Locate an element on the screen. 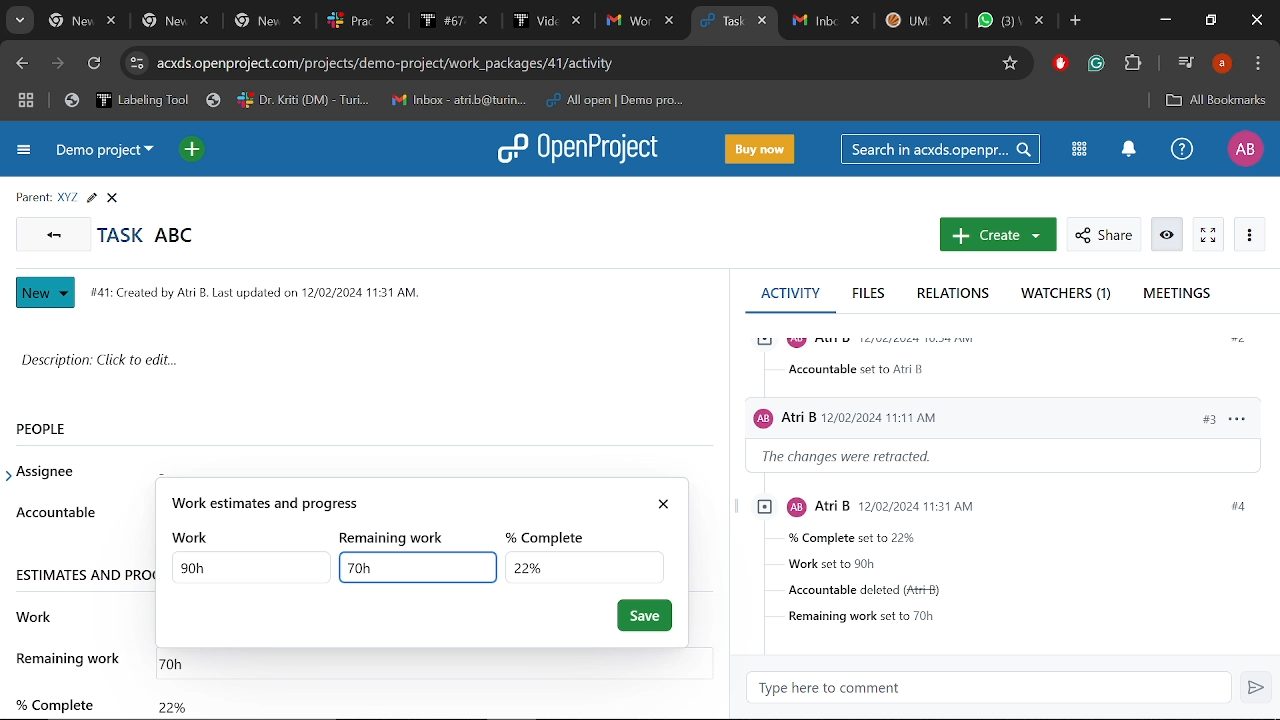 This screenshot has width=1280, height=720. Space for writting description is located at coordinates (366, 364).